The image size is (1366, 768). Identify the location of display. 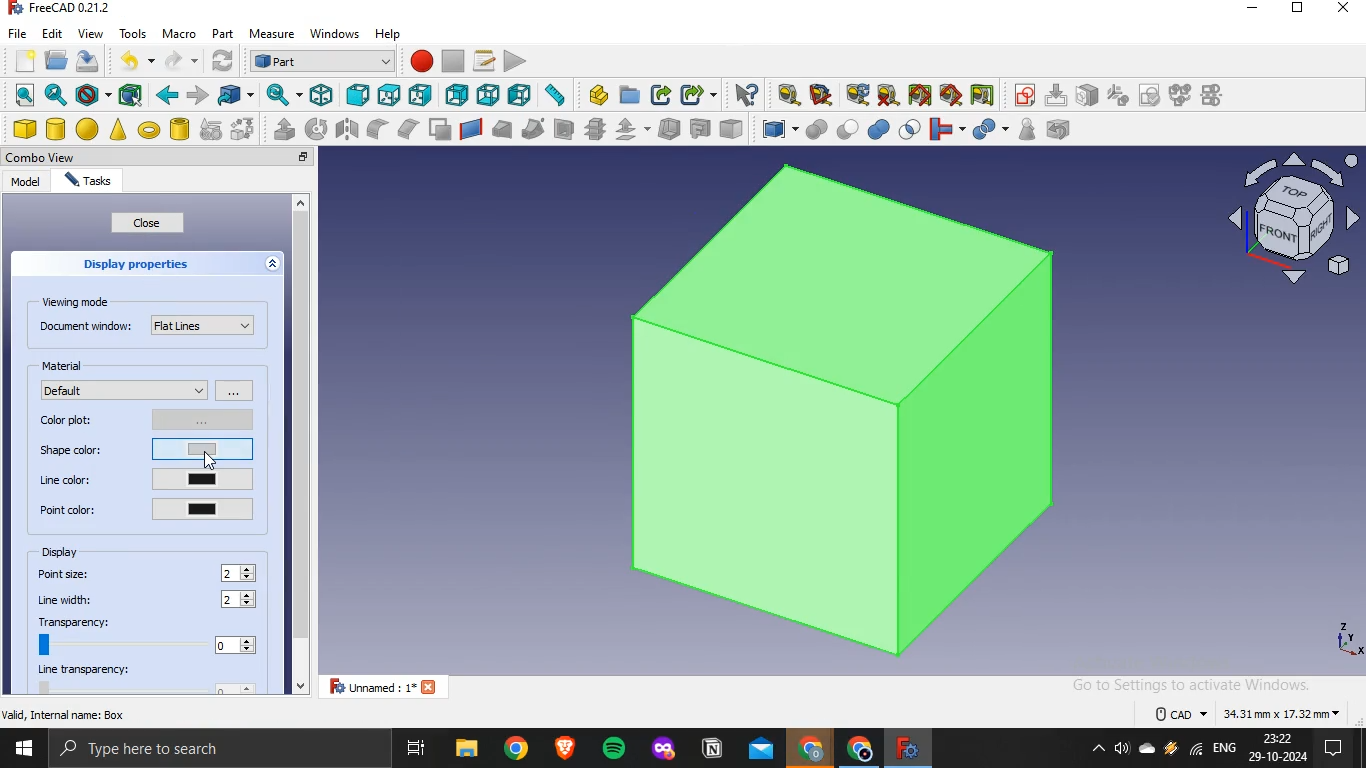
(63, 552).